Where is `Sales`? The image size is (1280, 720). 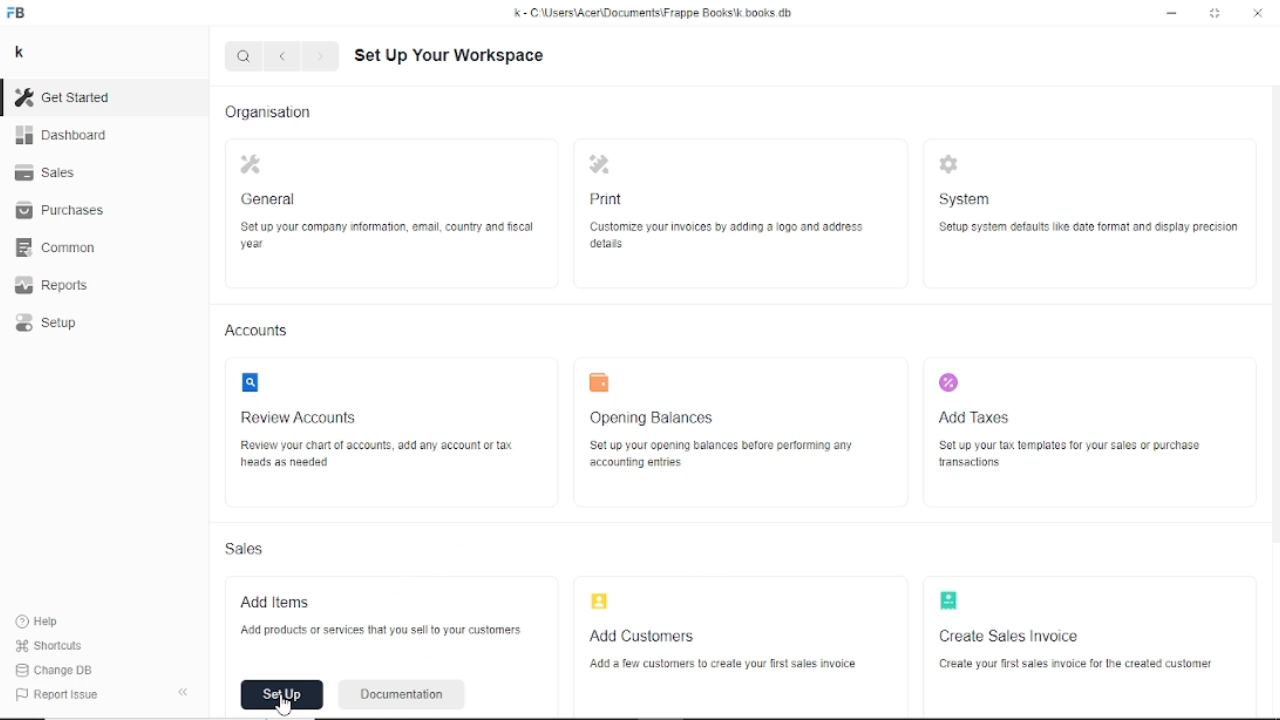
Sales is located at coordinates (51, 174).